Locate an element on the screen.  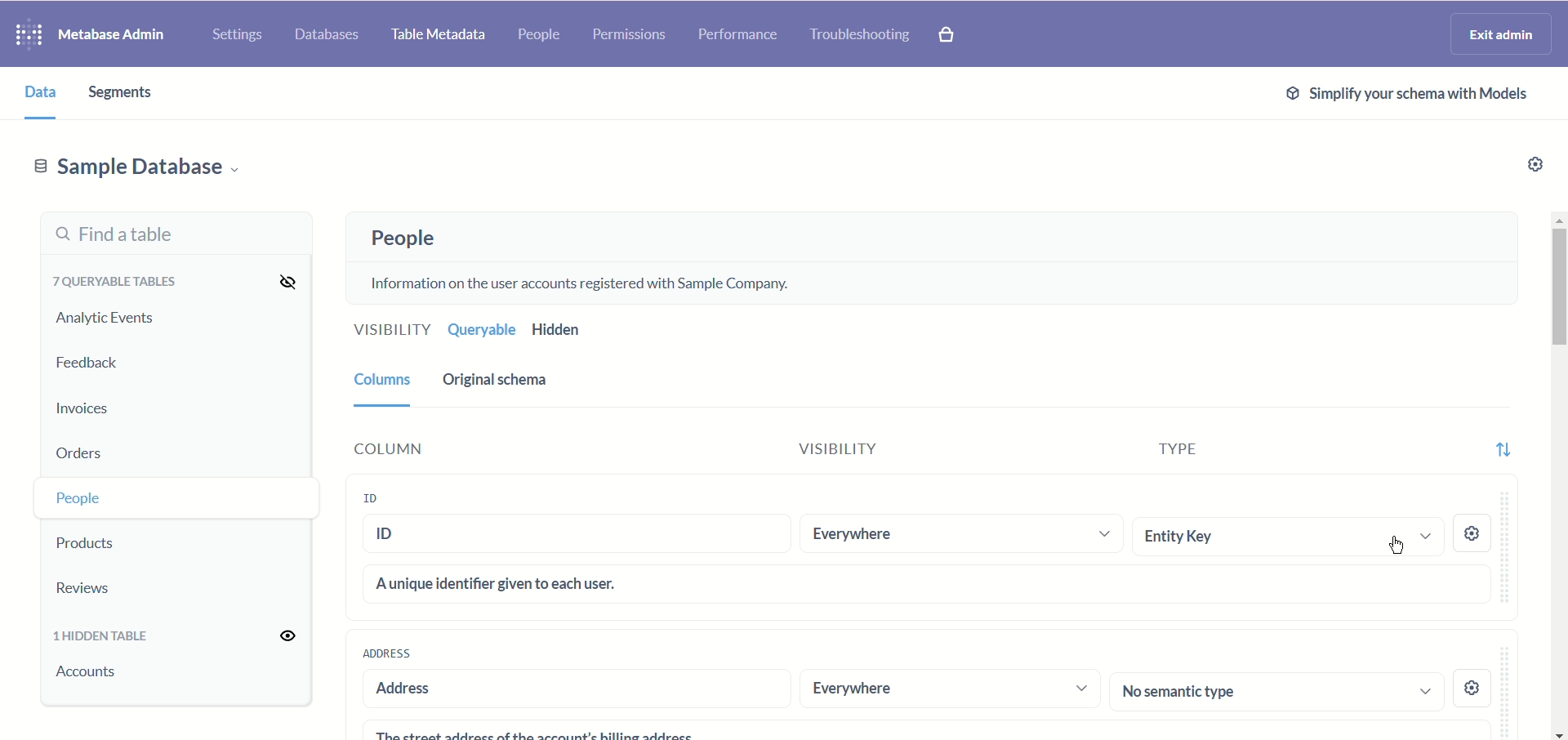
1 hidden table is located at coordinates (106, 637).